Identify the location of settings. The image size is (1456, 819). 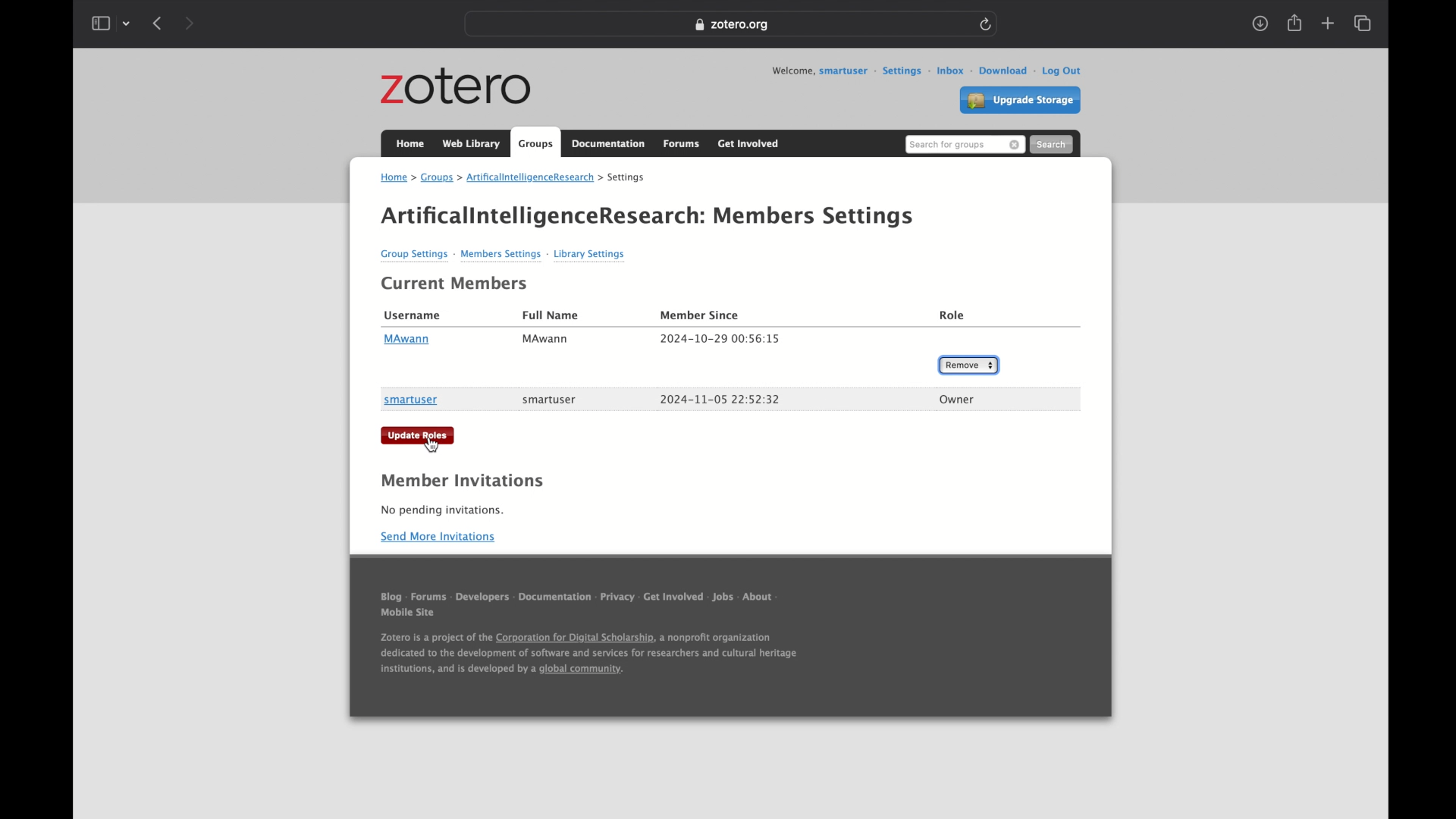
(623, 177).